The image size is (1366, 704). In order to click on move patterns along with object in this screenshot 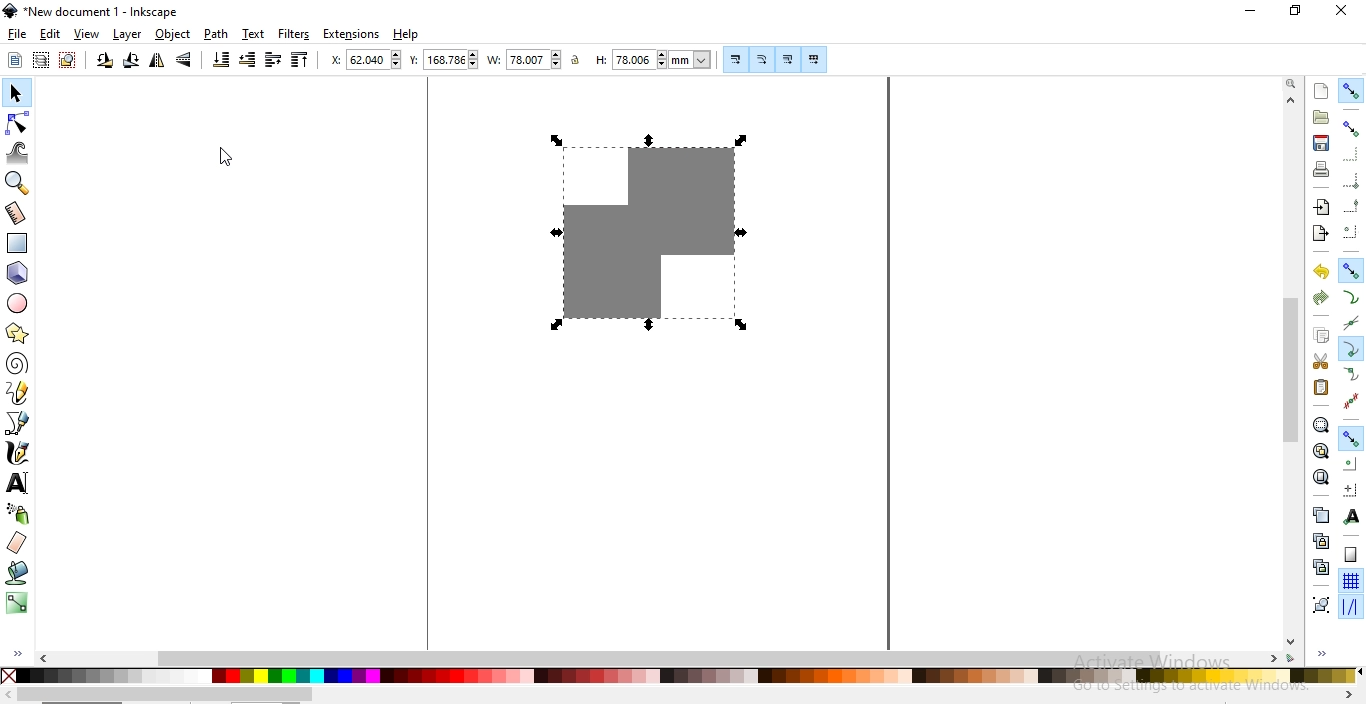, I will do `click(814, 60)`.